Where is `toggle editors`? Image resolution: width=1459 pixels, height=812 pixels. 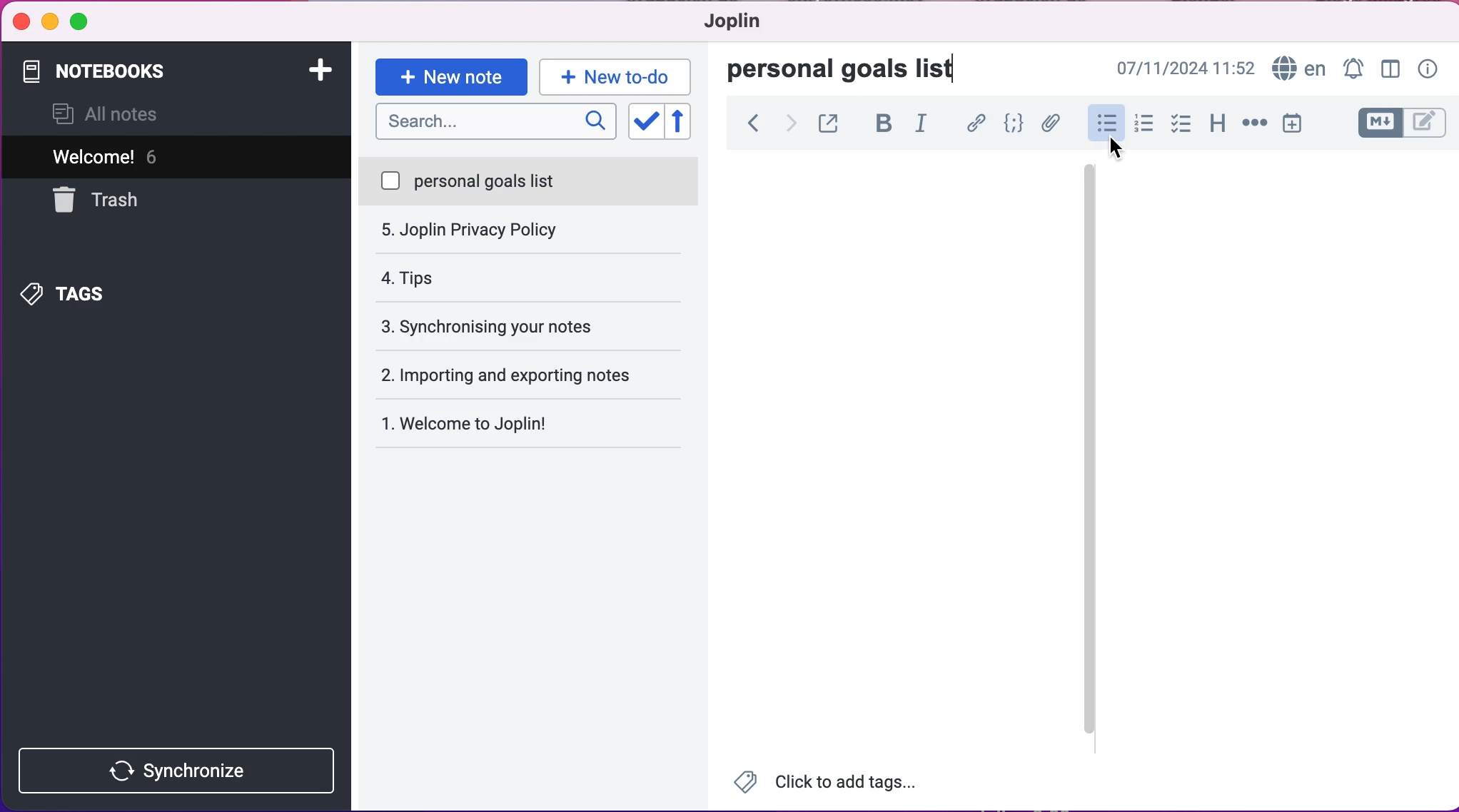
toggle editors is located at coordinates (1389, 123).